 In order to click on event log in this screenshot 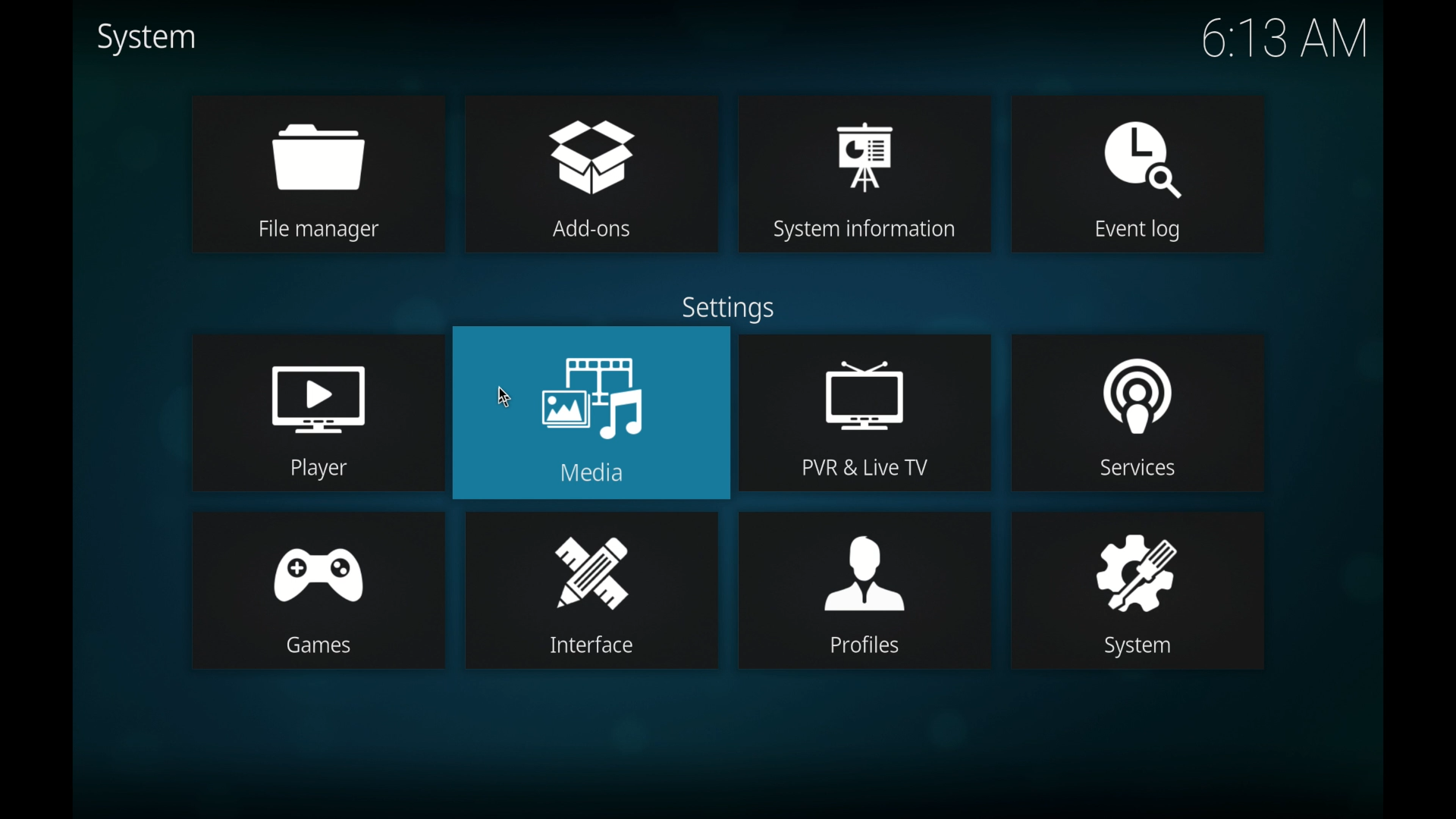, I will do `click(1141, 174)`.